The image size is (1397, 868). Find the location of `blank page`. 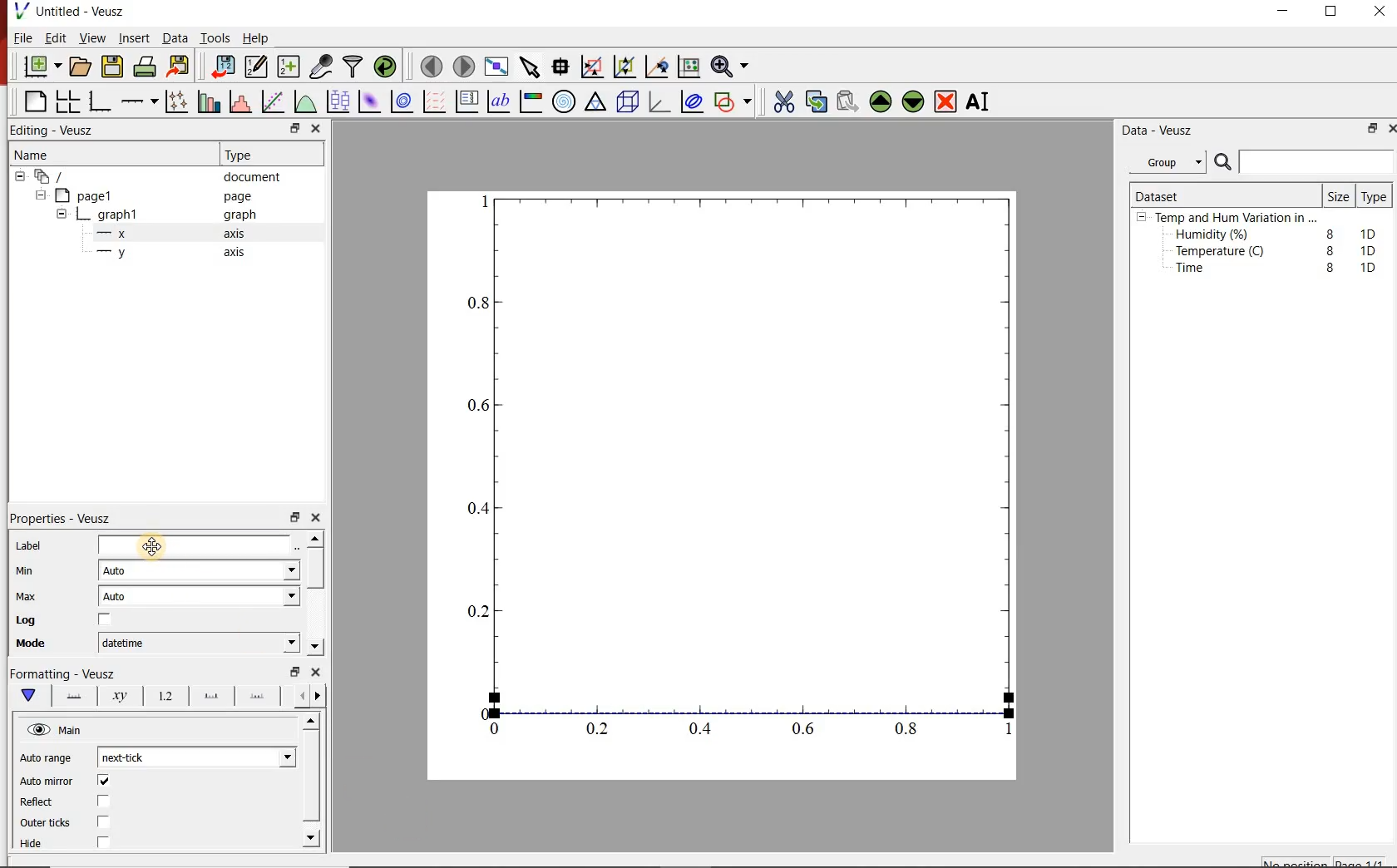

blank page is located at coordinates (33, 100).